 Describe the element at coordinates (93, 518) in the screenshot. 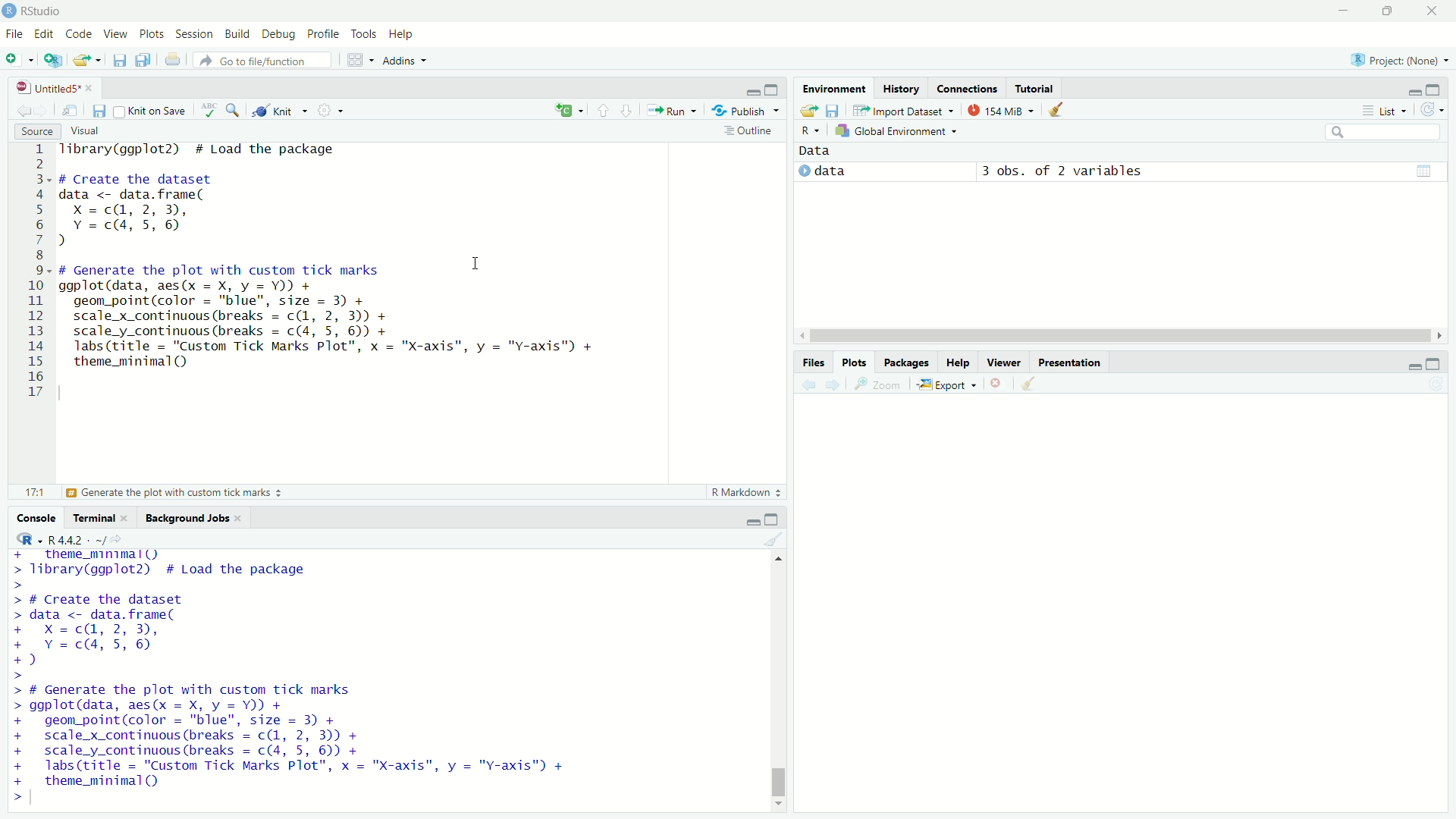

I see `terminal` at that location.